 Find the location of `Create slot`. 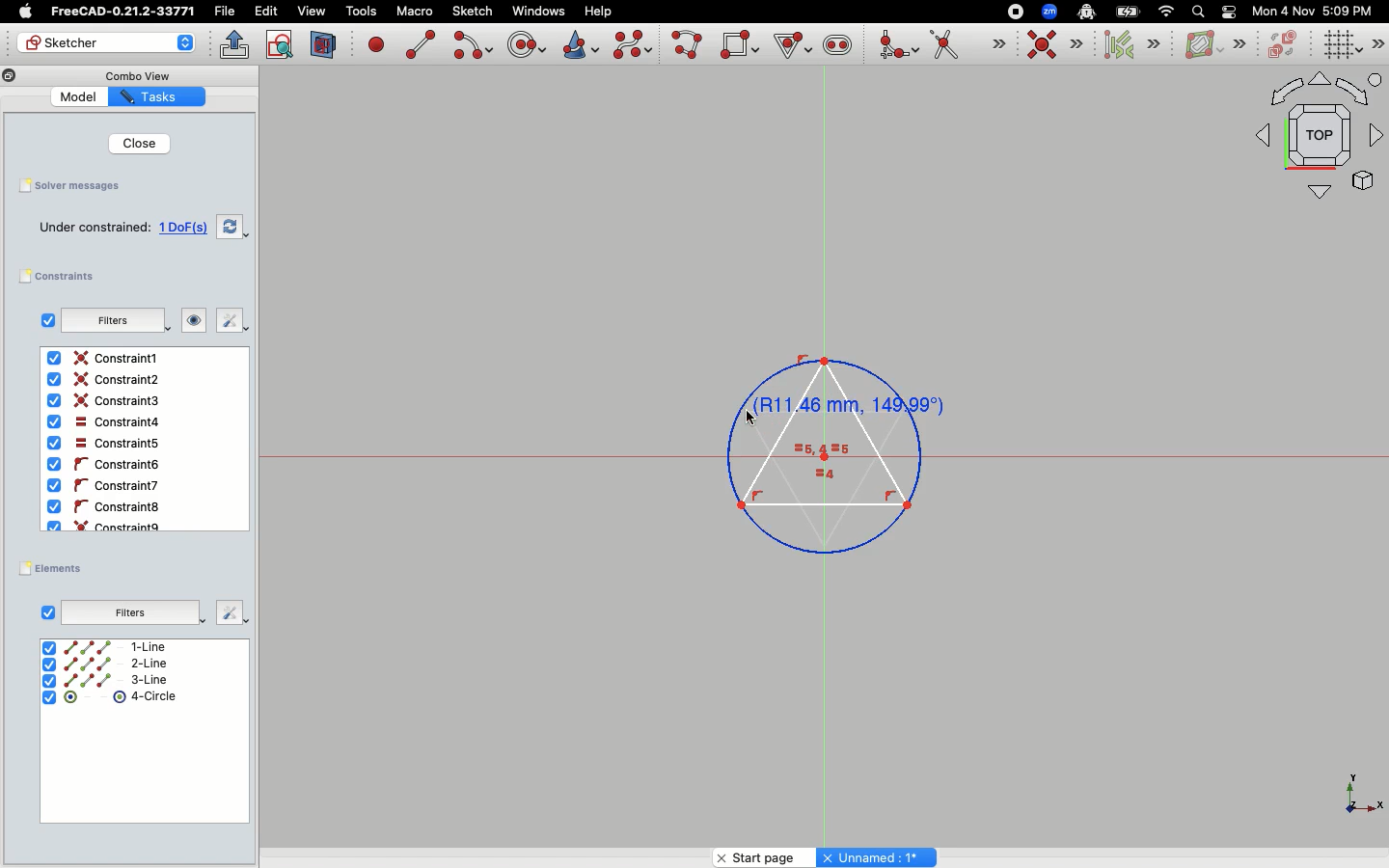

Create slot is located at coordinates (836, 47).